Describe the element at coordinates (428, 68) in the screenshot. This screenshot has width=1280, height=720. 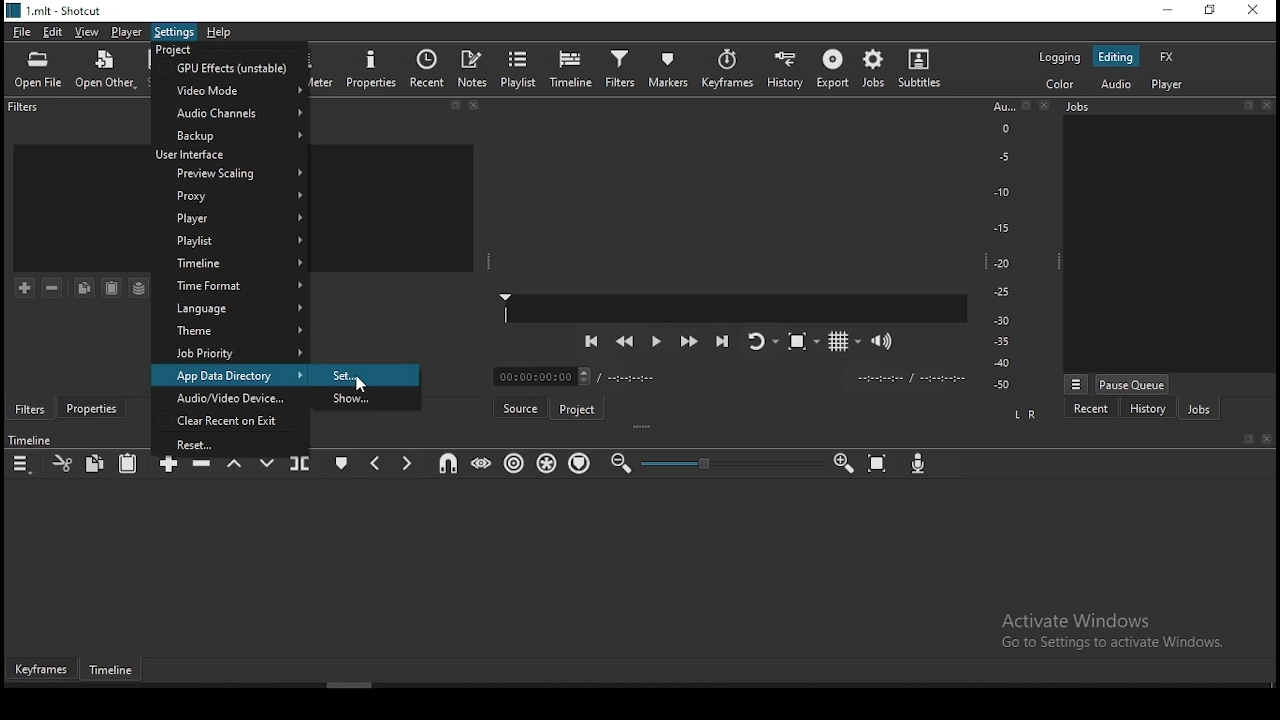
I see `recent` at that location.